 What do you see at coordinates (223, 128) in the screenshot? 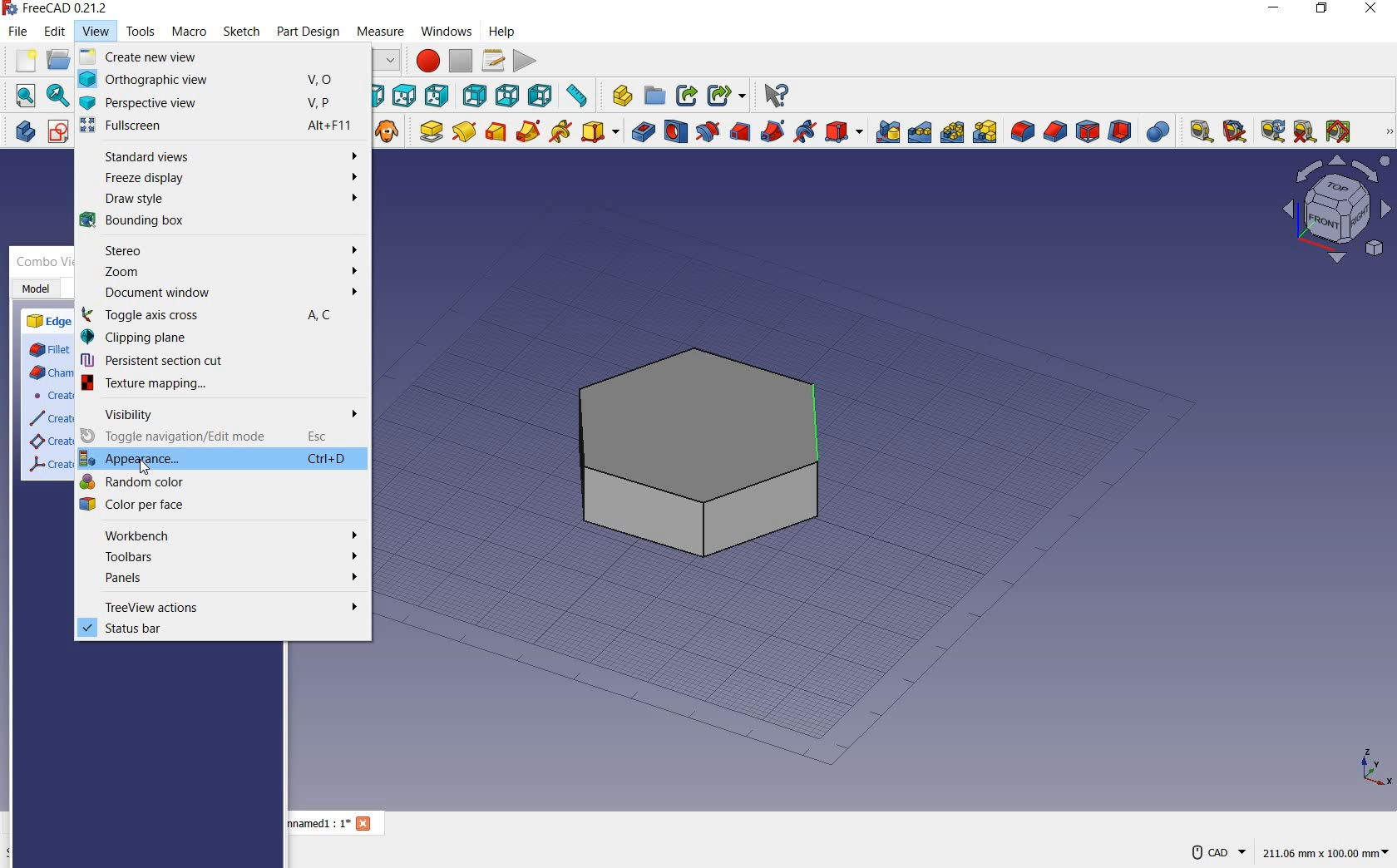
I see `fullscreen` at bounding box center [223, 128].